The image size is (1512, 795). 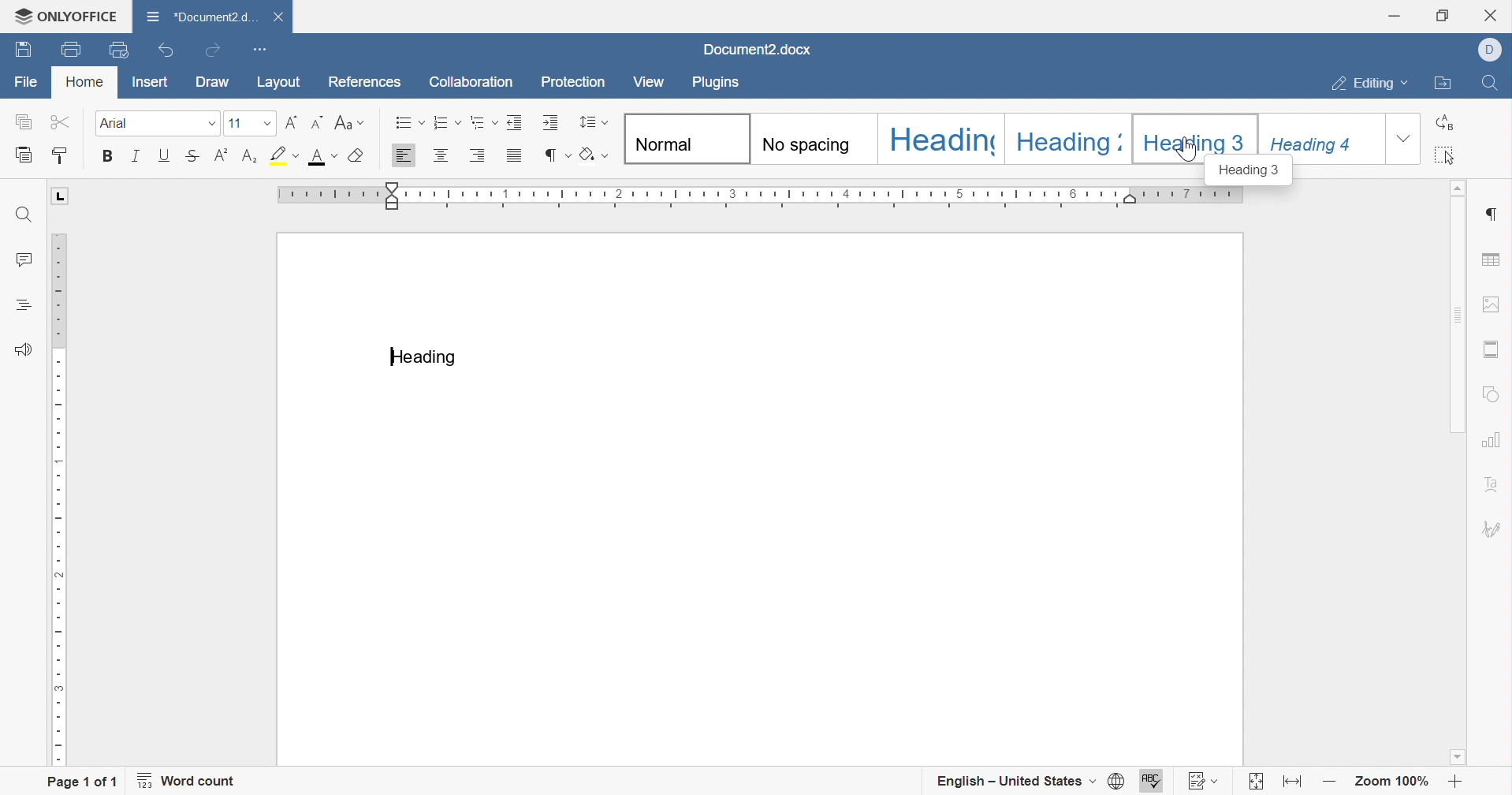 I want to click on Heading 3, so click(x=1197, y=135).